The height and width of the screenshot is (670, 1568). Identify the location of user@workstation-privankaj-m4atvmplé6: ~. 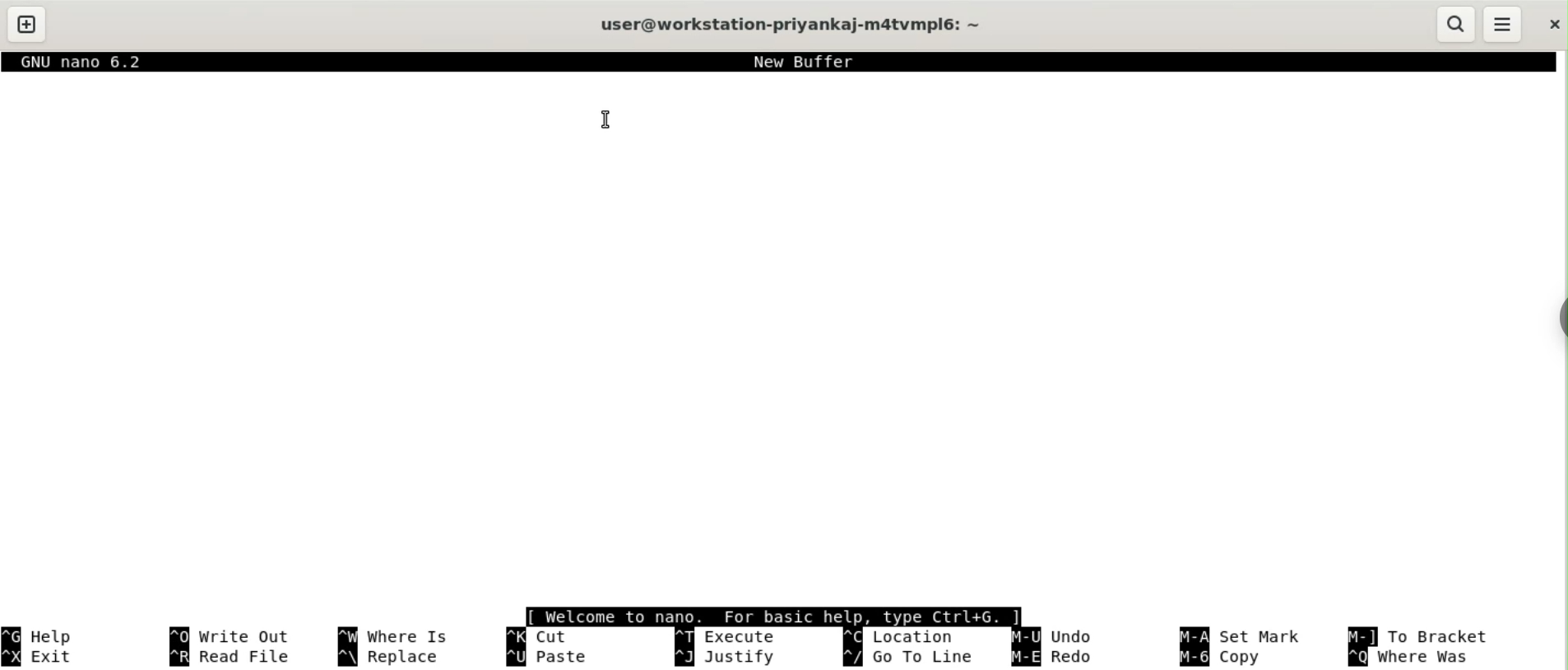
(793, 26).